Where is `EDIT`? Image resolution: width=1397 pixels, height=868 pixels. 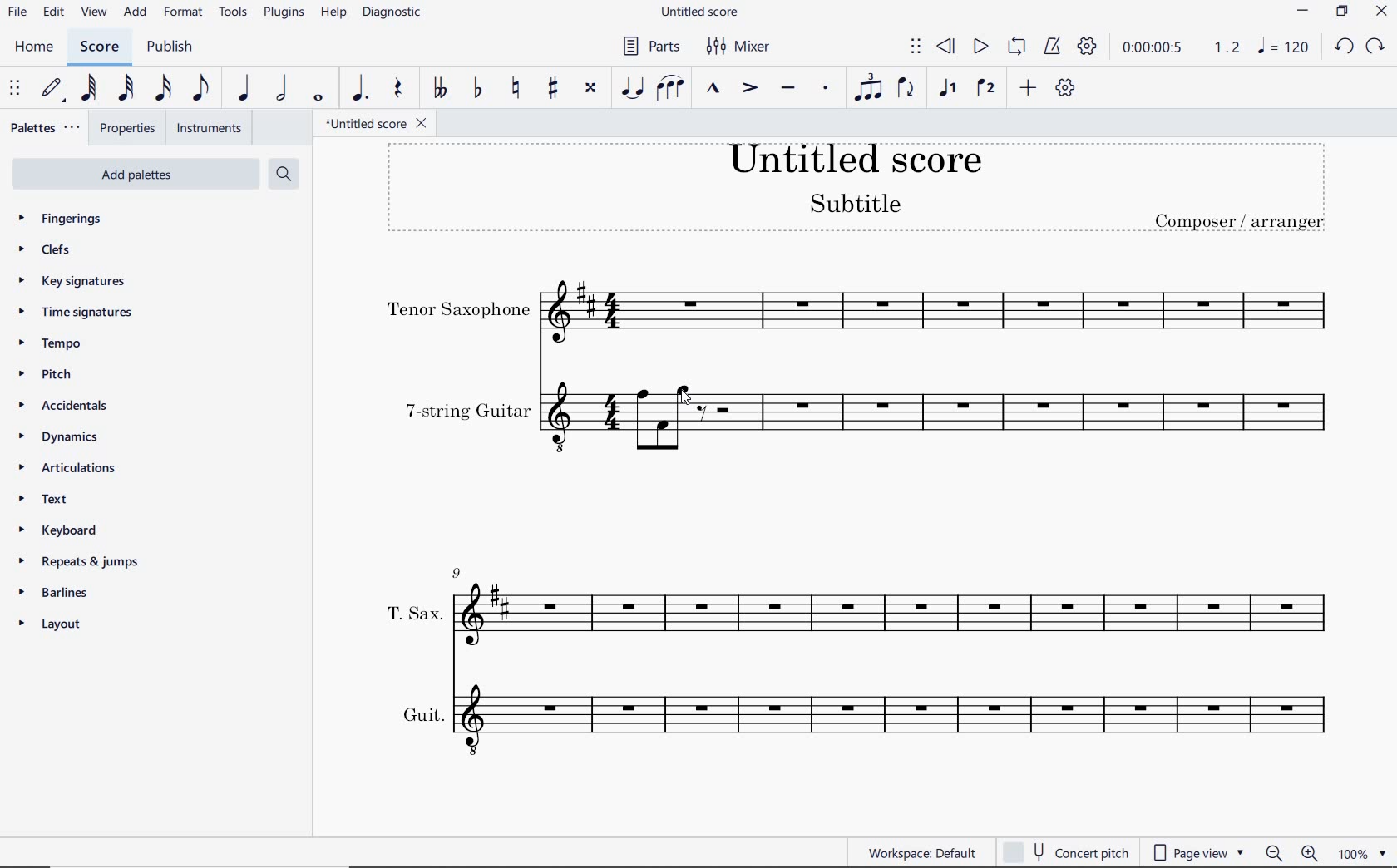 EDIT is located at coordinates (52, 13).